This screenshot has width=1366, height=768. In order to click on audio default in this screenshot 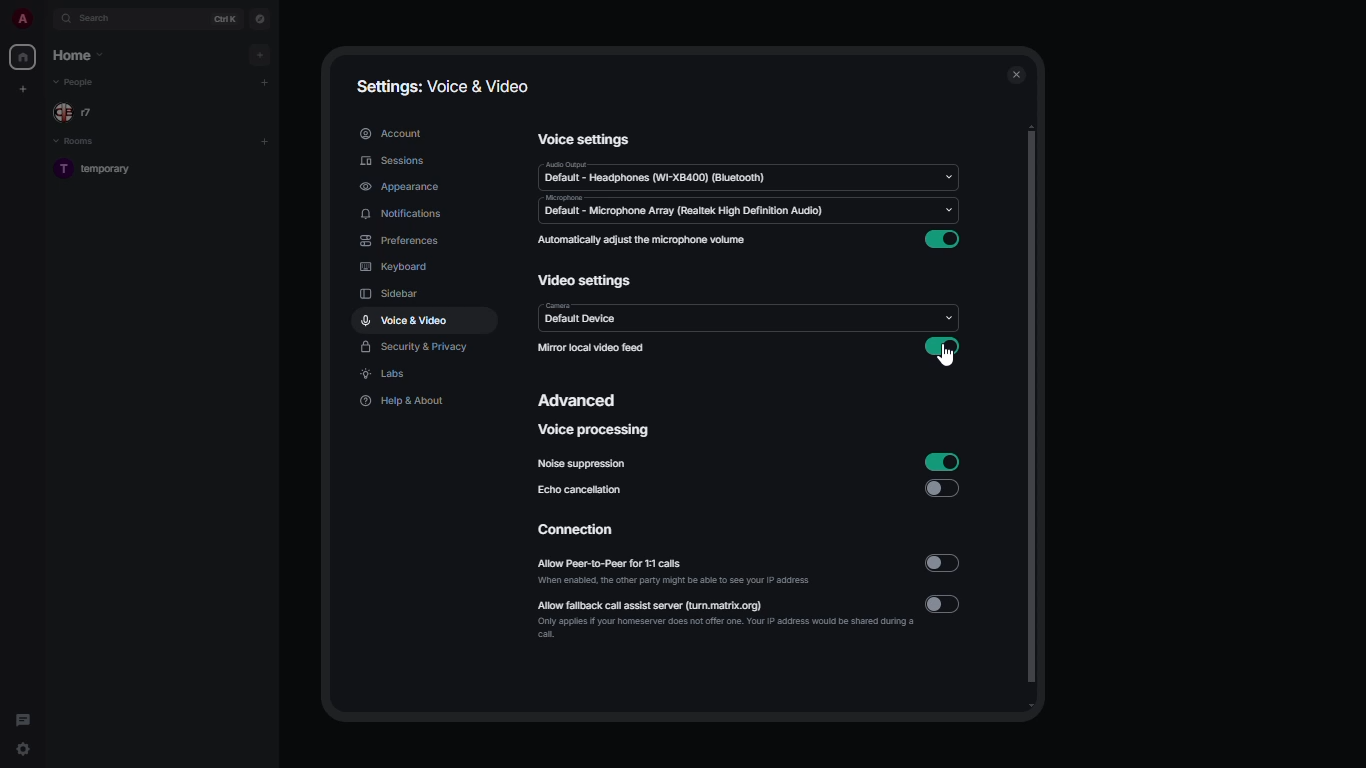, I will do `click(655, 173)`.